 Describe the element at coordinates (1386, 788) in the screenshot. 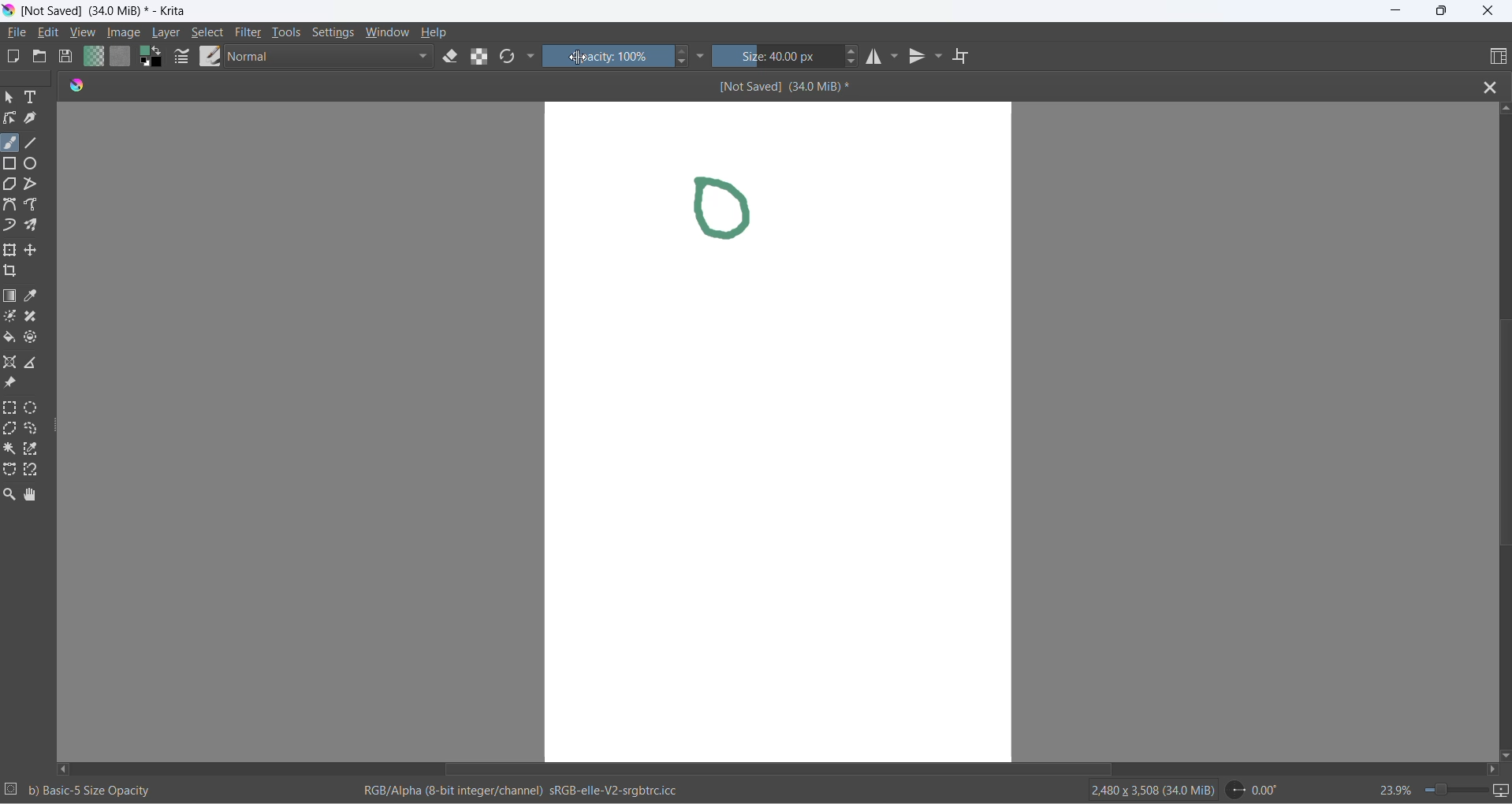

I see `zoom percentage` at that location.